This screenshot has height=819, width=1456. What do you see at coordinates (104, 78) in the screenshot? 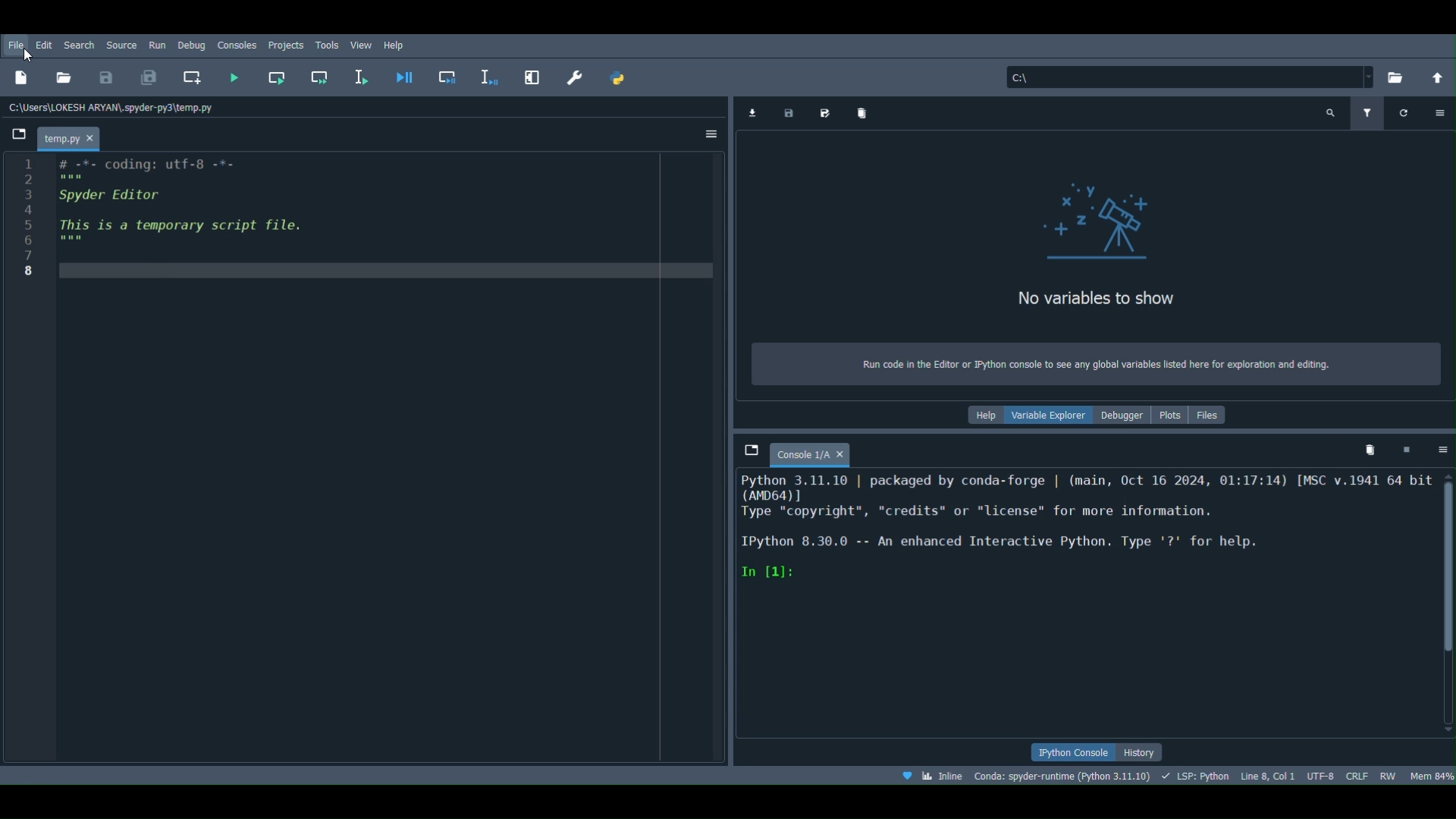
I see `Save file (Ctrl + S)` at bounding box center [104, 78].